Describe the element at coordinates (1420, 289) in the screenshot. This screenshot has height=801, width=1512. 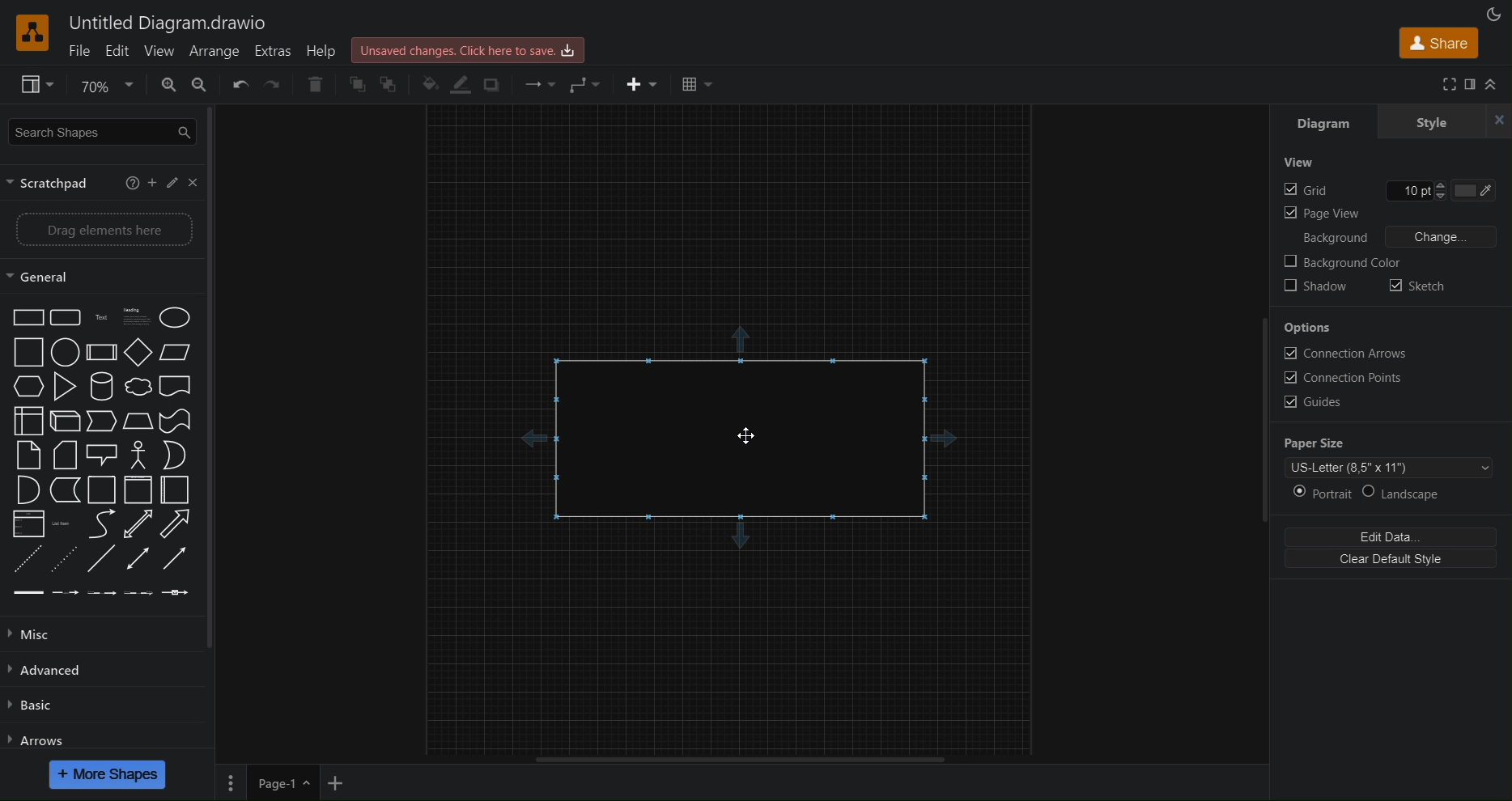
I see `Sketch` at that location.